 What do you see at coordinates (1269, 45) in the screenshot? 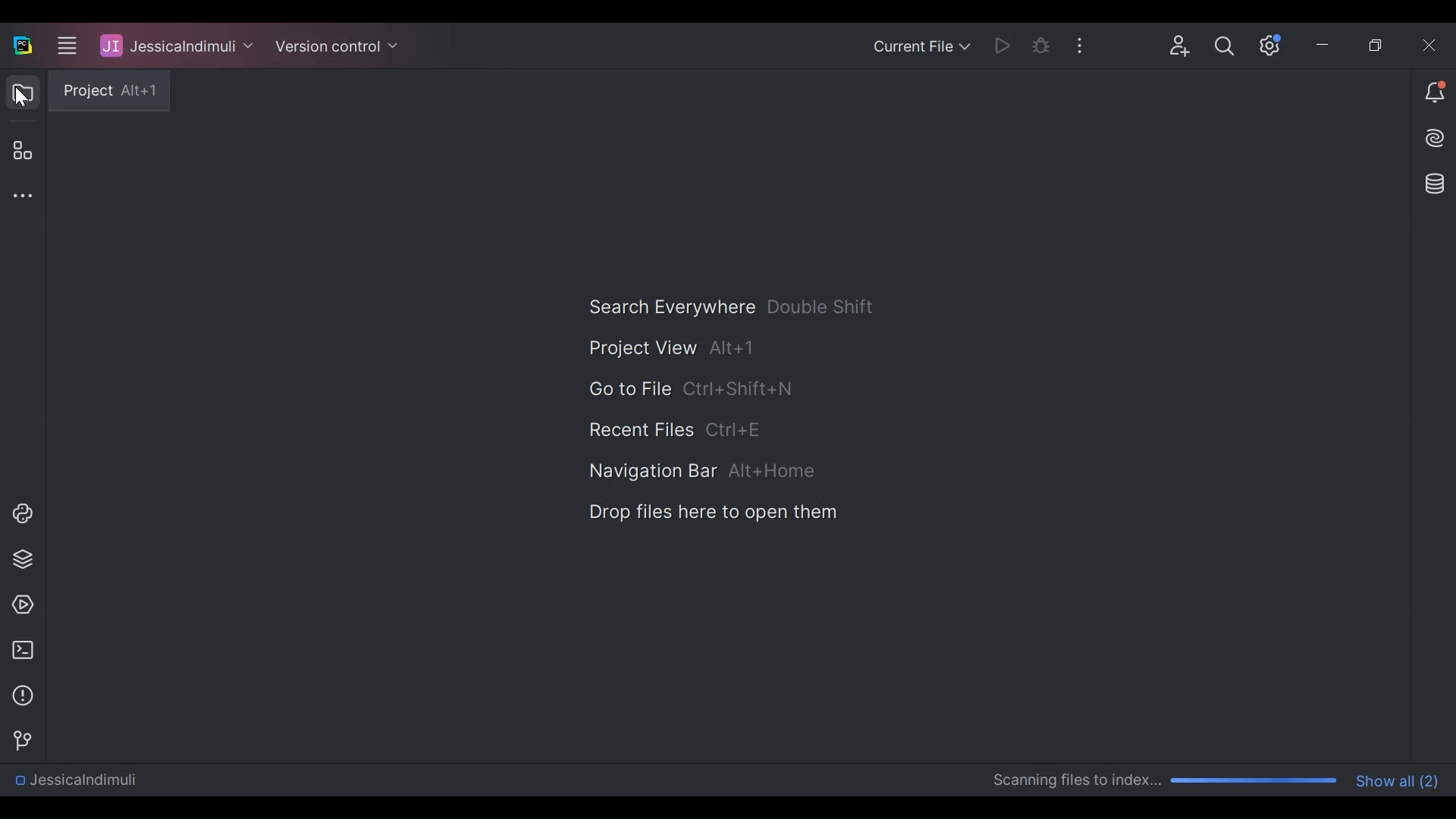
I see `Settings` at bounding box center [1269, 45].